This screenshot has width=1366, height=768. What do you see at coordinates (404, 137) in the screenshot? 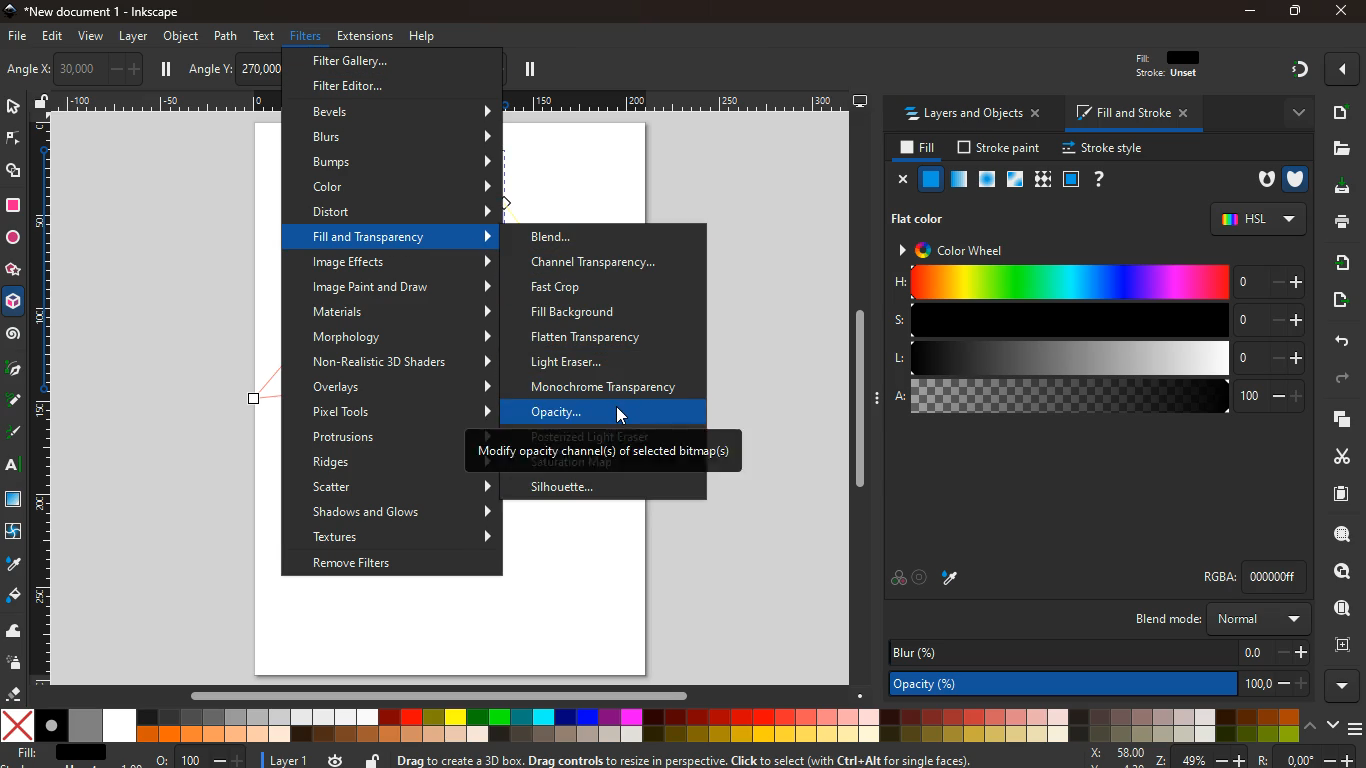
I see `blurs` at bounding box center [404, 137].